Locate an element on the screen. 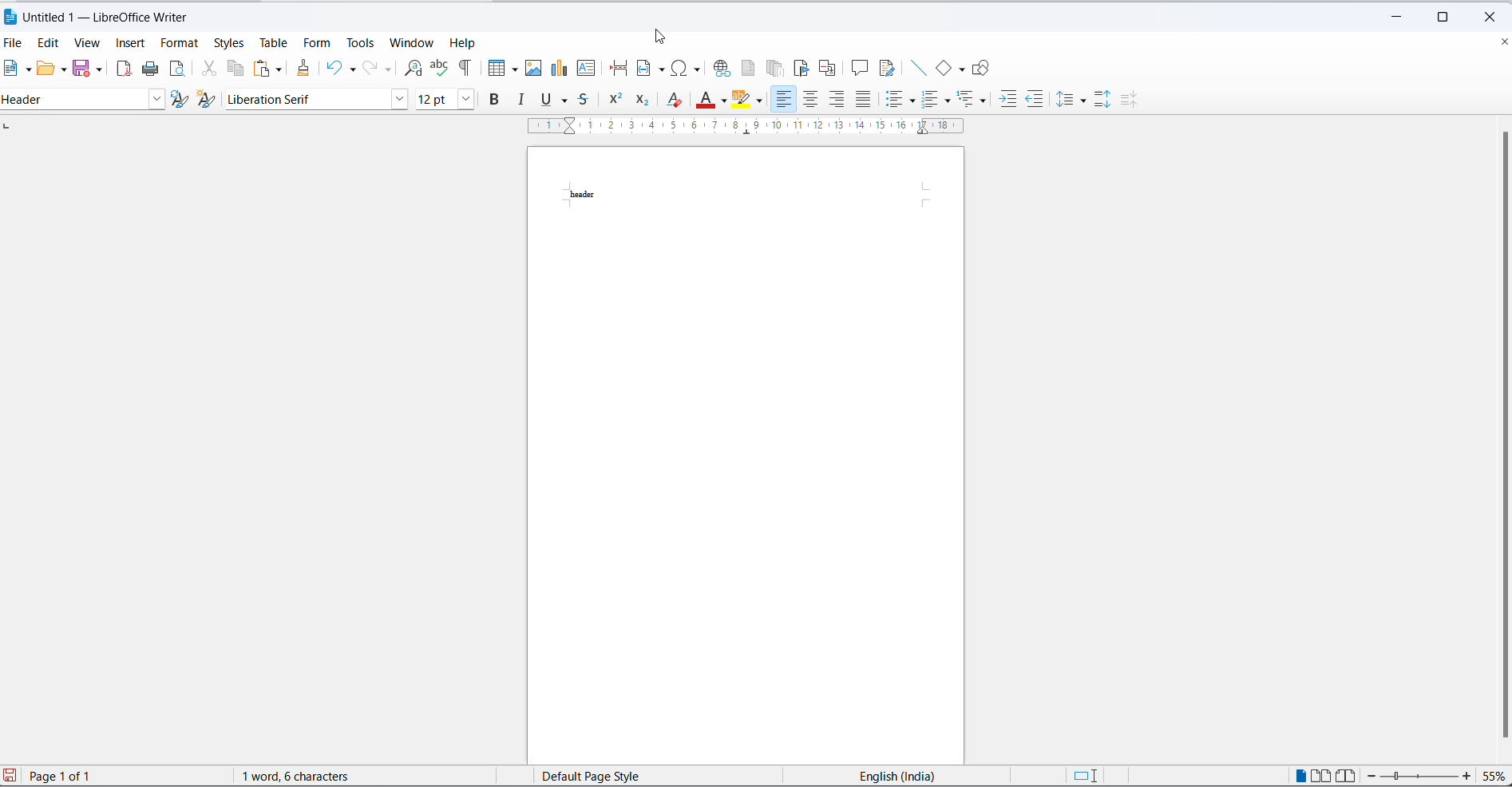  insert text is located at coordinates (594, 69).